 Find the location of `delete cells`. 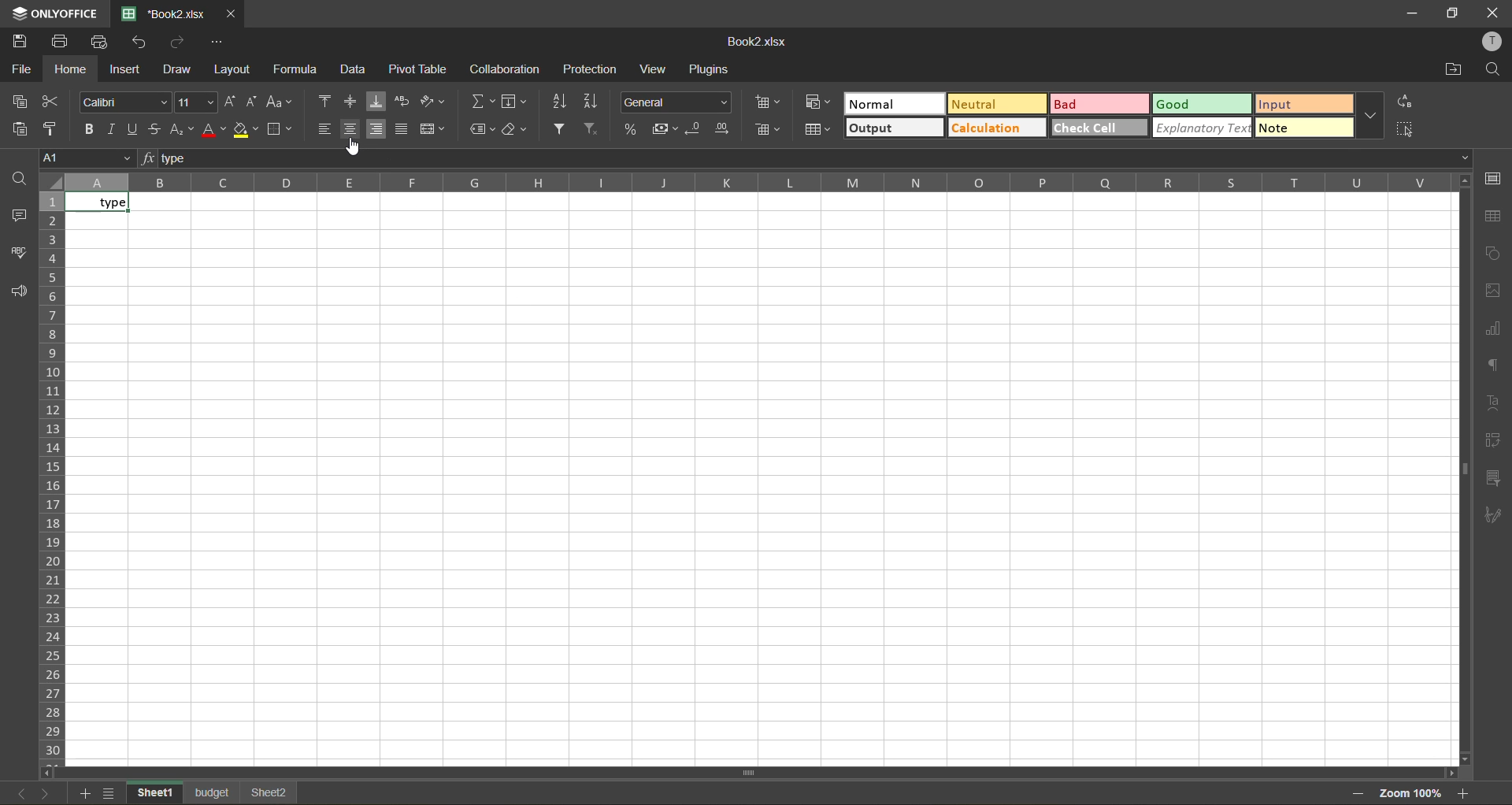

delete cells is located at coordinates (770, 129).